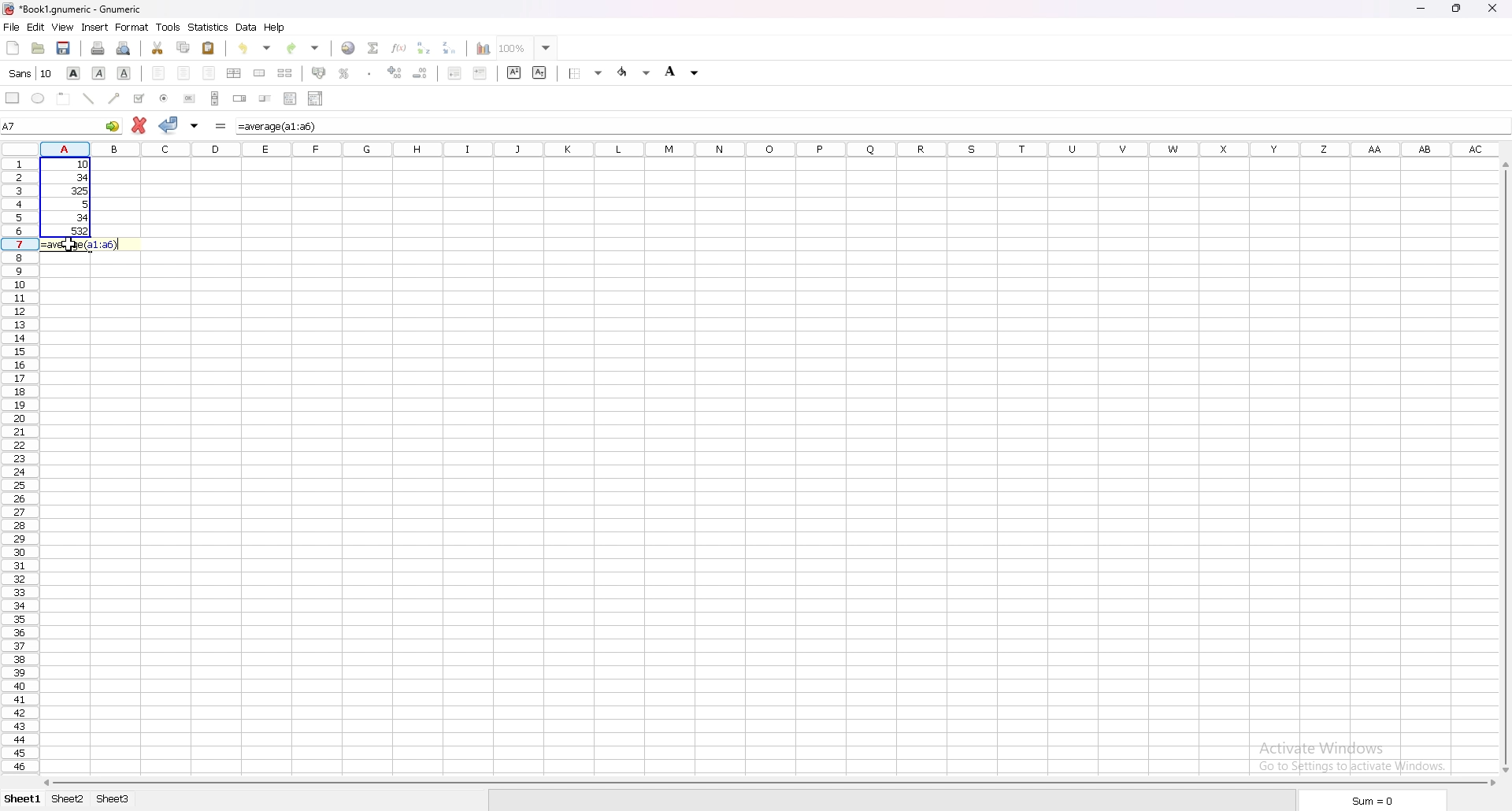 The width and height of the screenshot is (1512, 811). What do you see at coordinates (124, 72) in the screenshot?
I see `underline` at bounding box center [124, 72].